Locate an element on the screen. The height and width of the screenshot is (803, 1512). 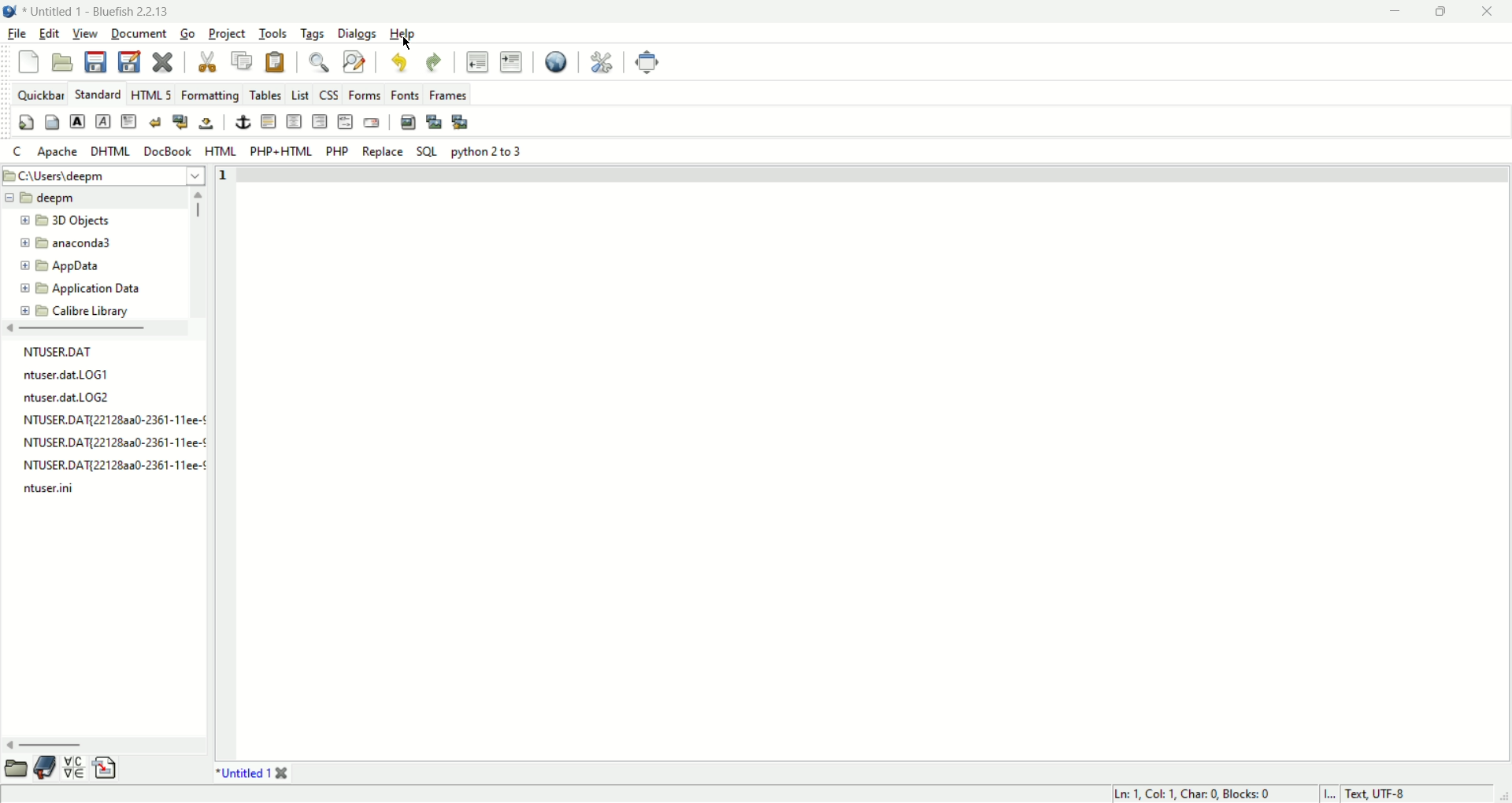
paragraph is located at coordinates (128, 122).